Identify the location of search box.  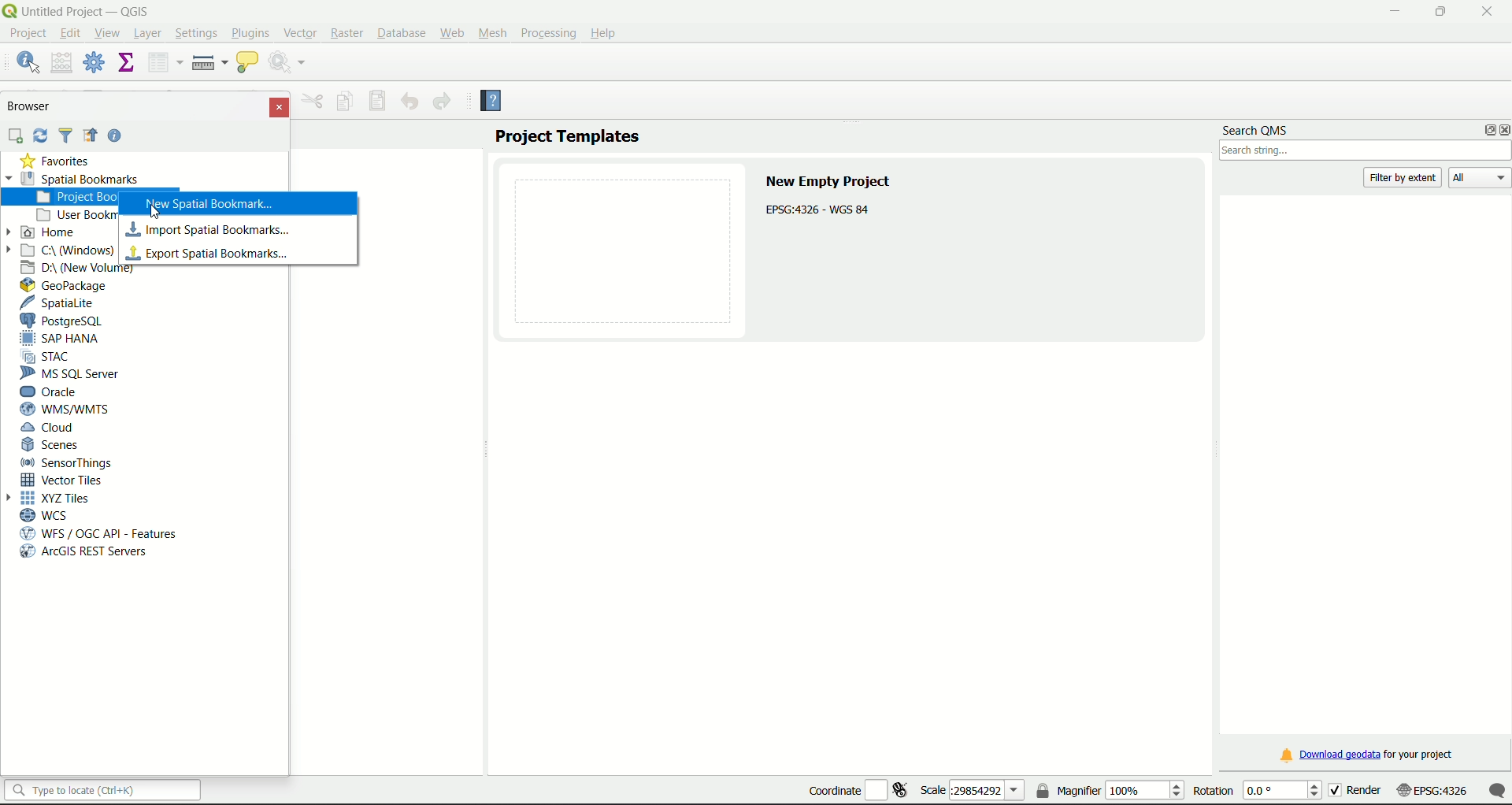
(1366, 151).